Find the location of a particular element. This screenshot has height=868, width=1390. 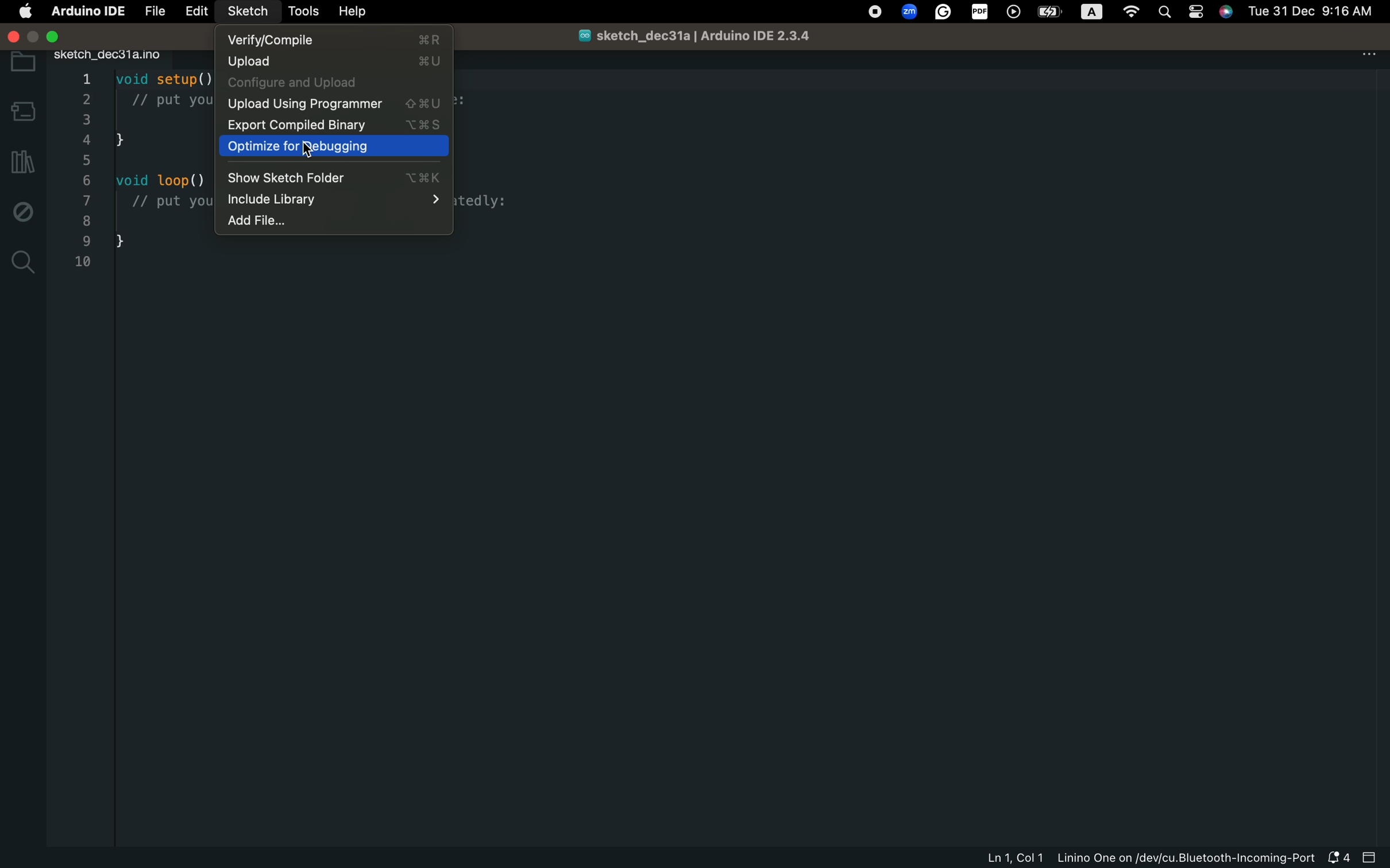

arduino is located at coordinates (84, 14).